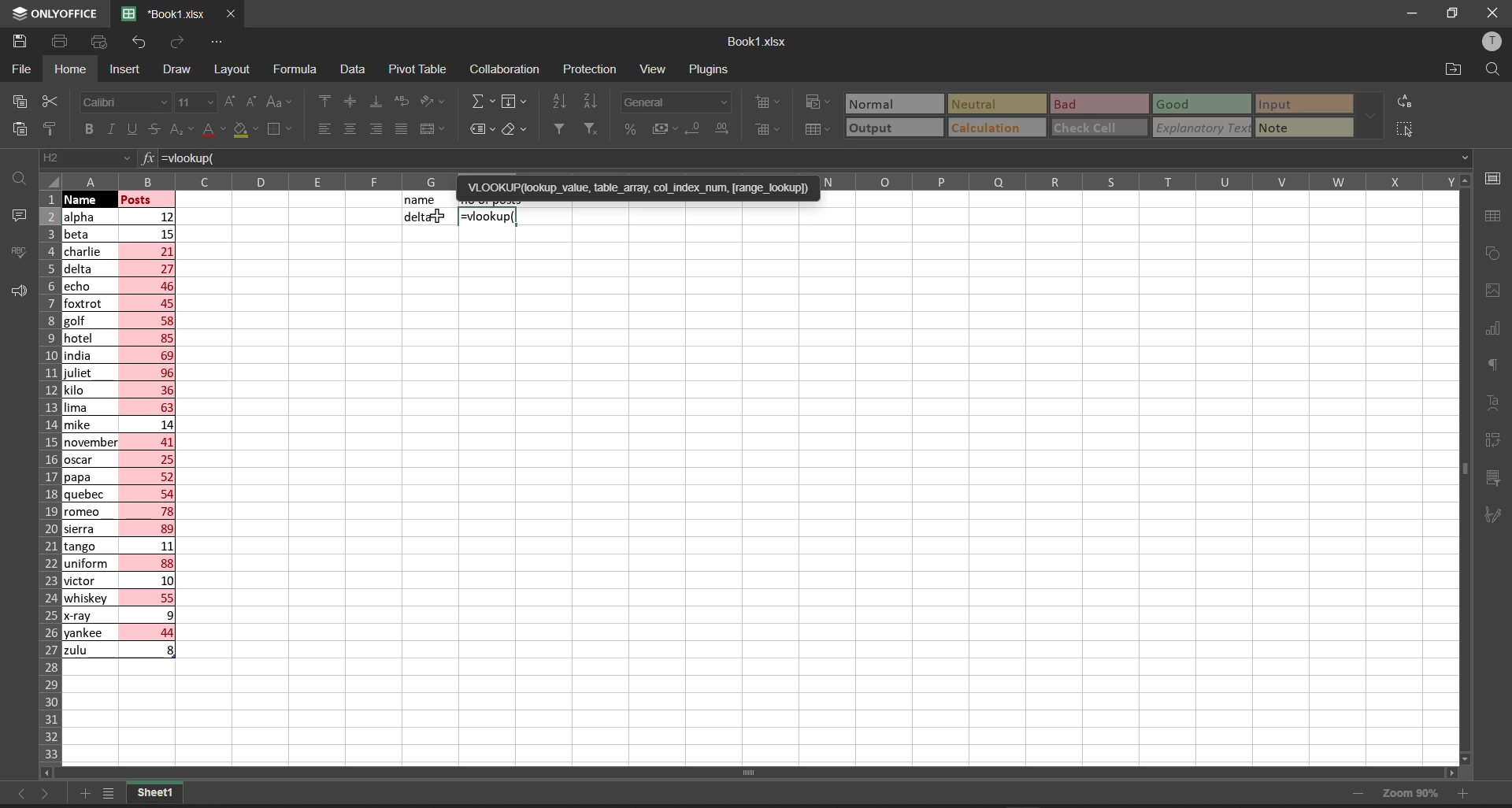 The height and width of the screenshot is (808, 1512). What do you see at coordinates (1497, 402) in the screenshot?
I see `text settings` at bounding box center [1497, 402].